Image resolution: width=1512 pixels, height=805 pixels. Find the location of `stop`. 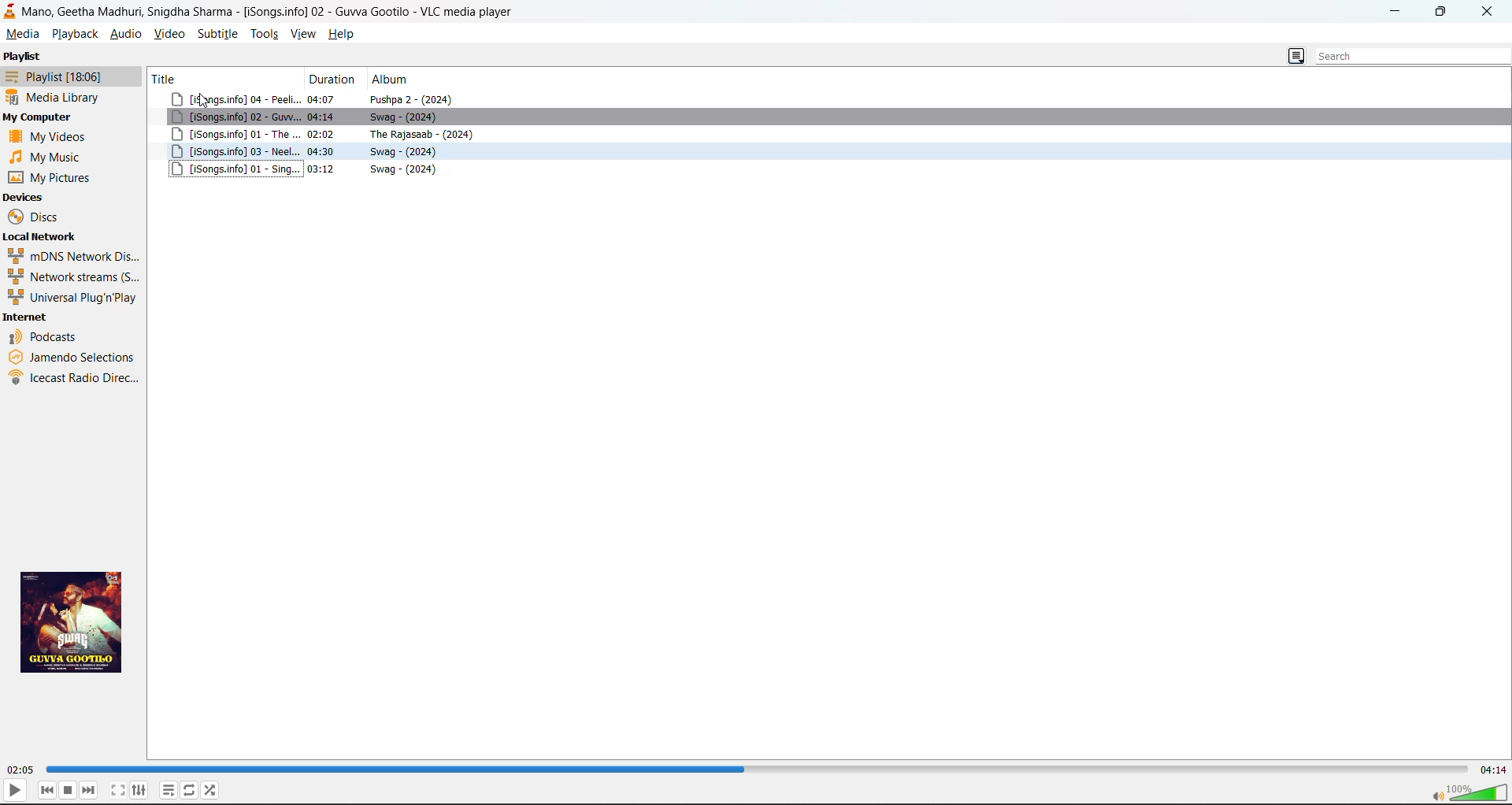

stop is located at coordinates (69, 790).